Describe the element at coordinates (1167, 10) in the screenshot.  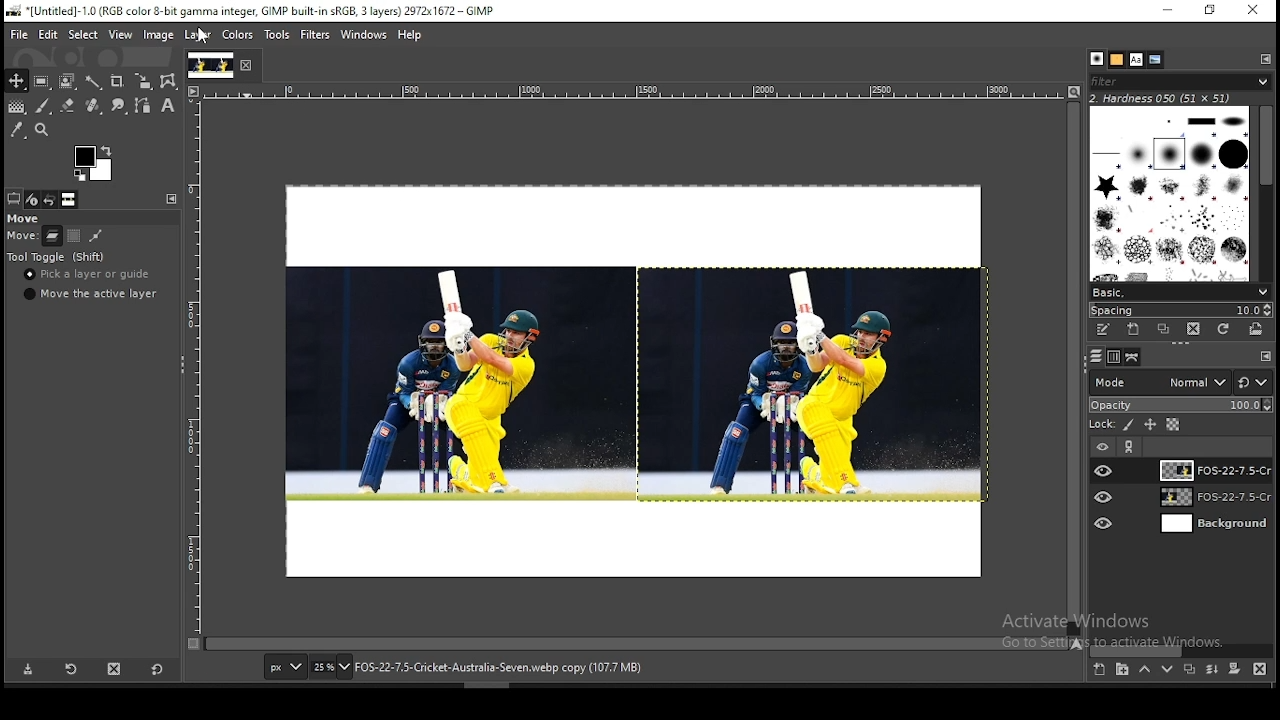
I see `Minimise ` at that location.